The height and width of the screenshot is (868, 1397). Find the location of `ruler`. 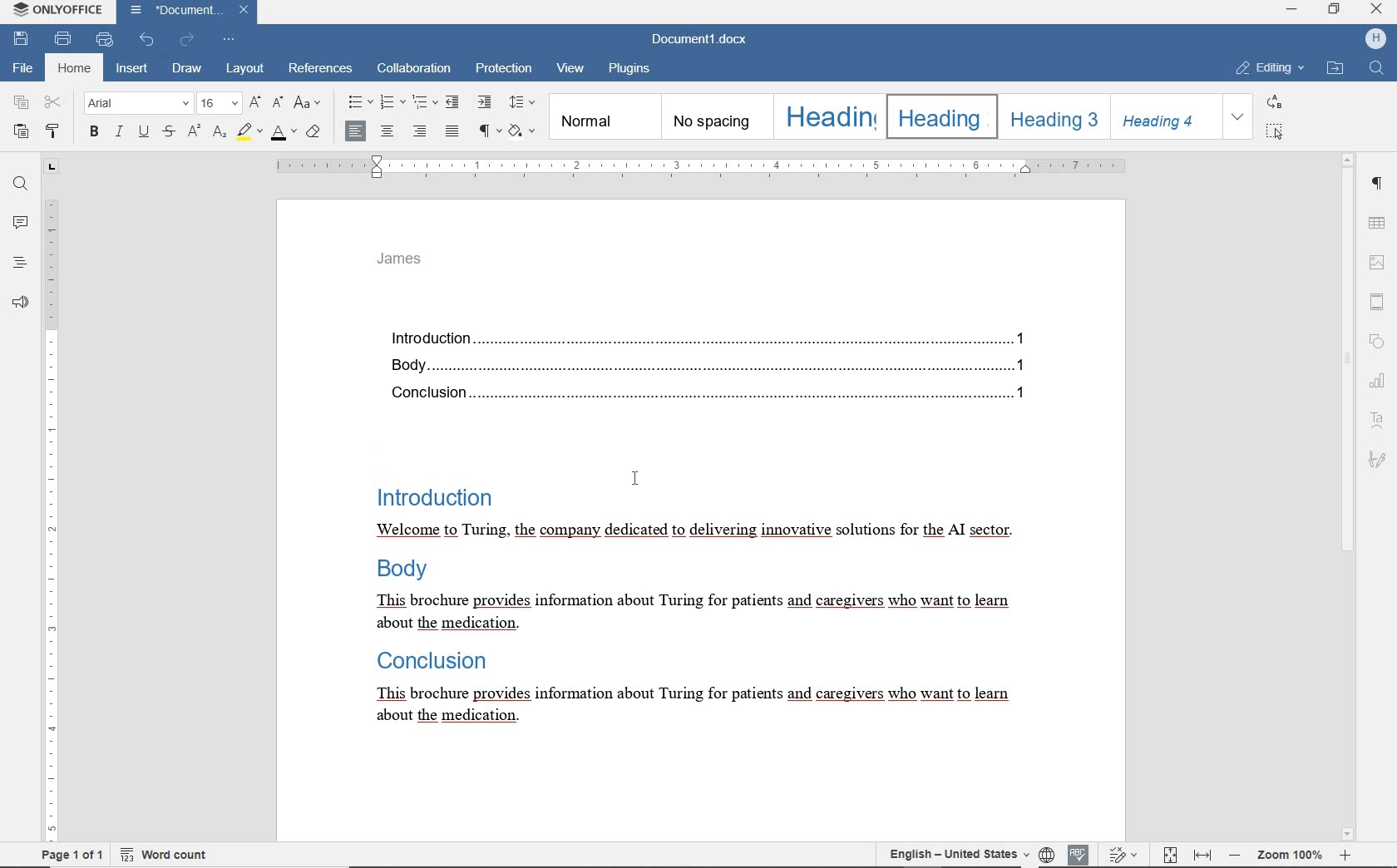

ruler is located at coordinates (52, 504).